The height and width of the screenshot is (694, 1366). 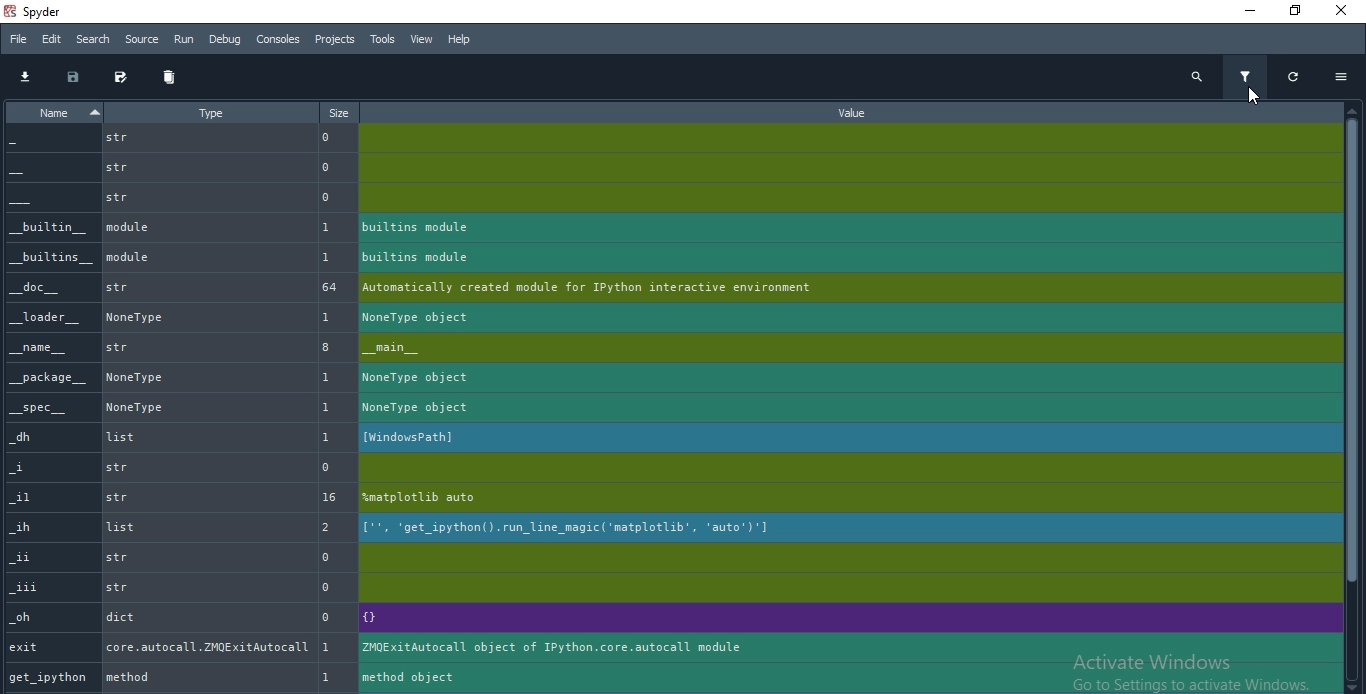 I want to click on delete all, so click(x=171, y=74).